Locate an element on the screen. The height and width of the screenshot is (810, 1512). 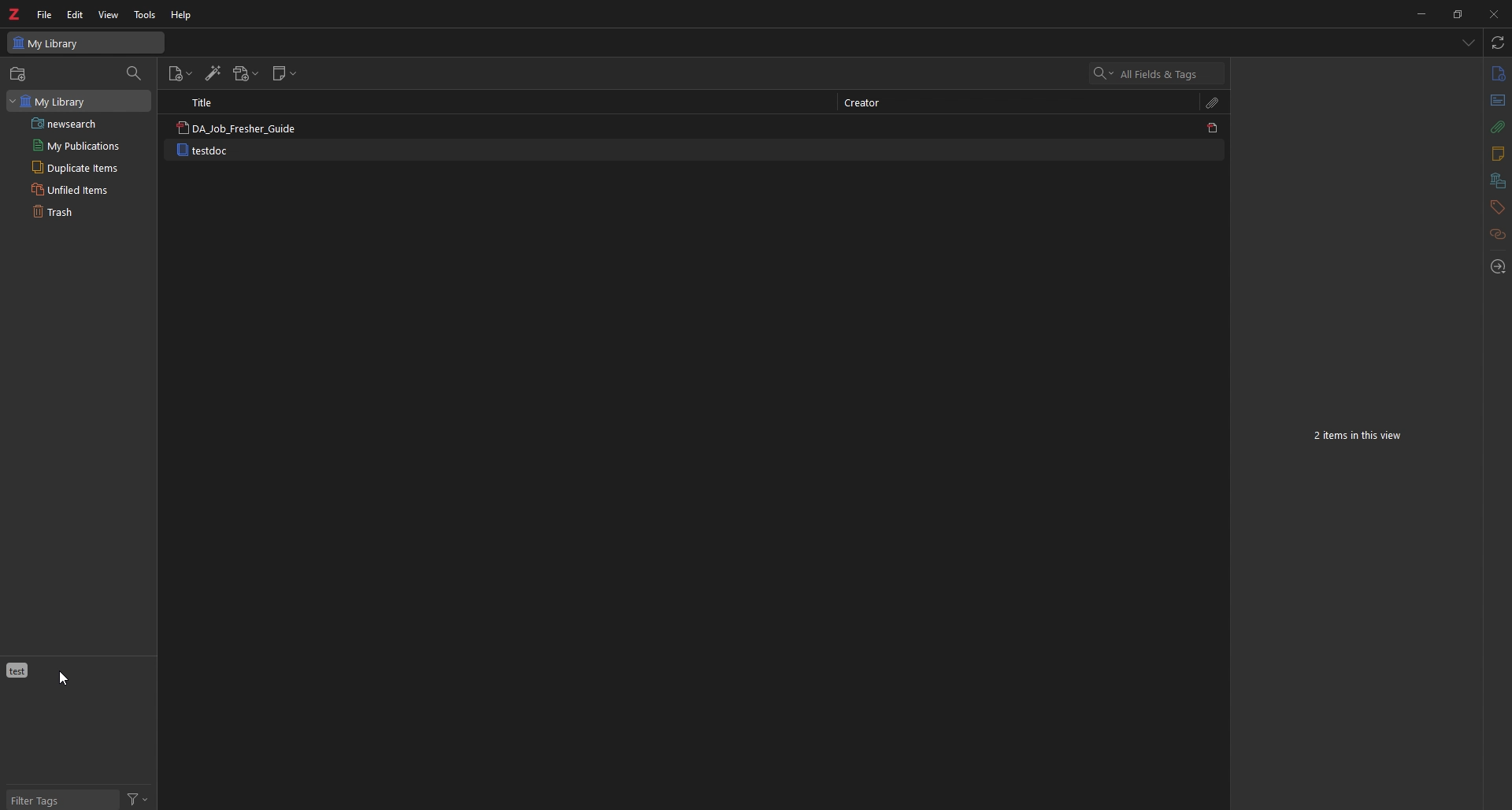
new collections is located at coordinates (19, 74).